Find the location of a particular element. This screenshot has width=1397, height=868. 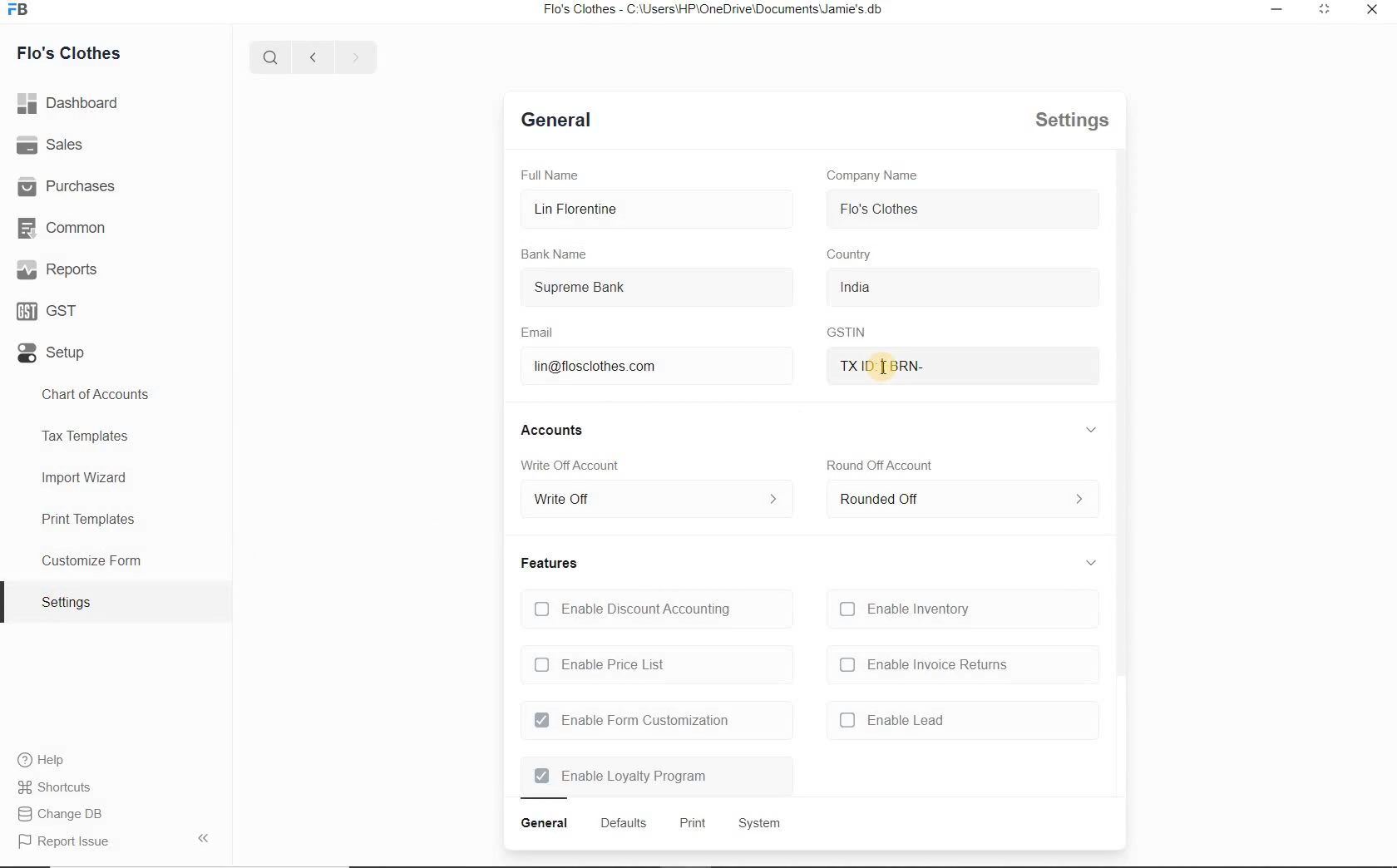

Sales is located at coordinates (53, 146).